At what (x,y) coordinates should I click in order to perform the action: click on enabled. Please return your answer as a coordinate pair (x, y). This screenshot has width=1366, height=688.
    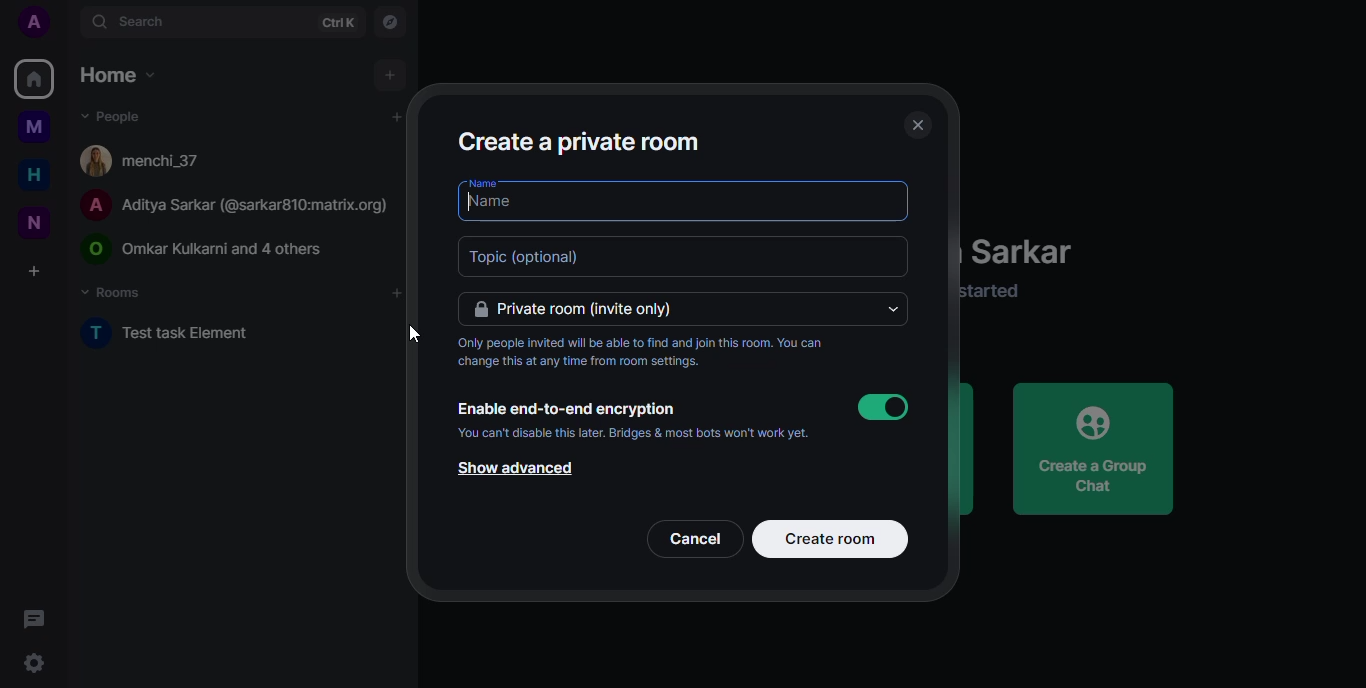
    Looking at the image, I should click on (887, 405).